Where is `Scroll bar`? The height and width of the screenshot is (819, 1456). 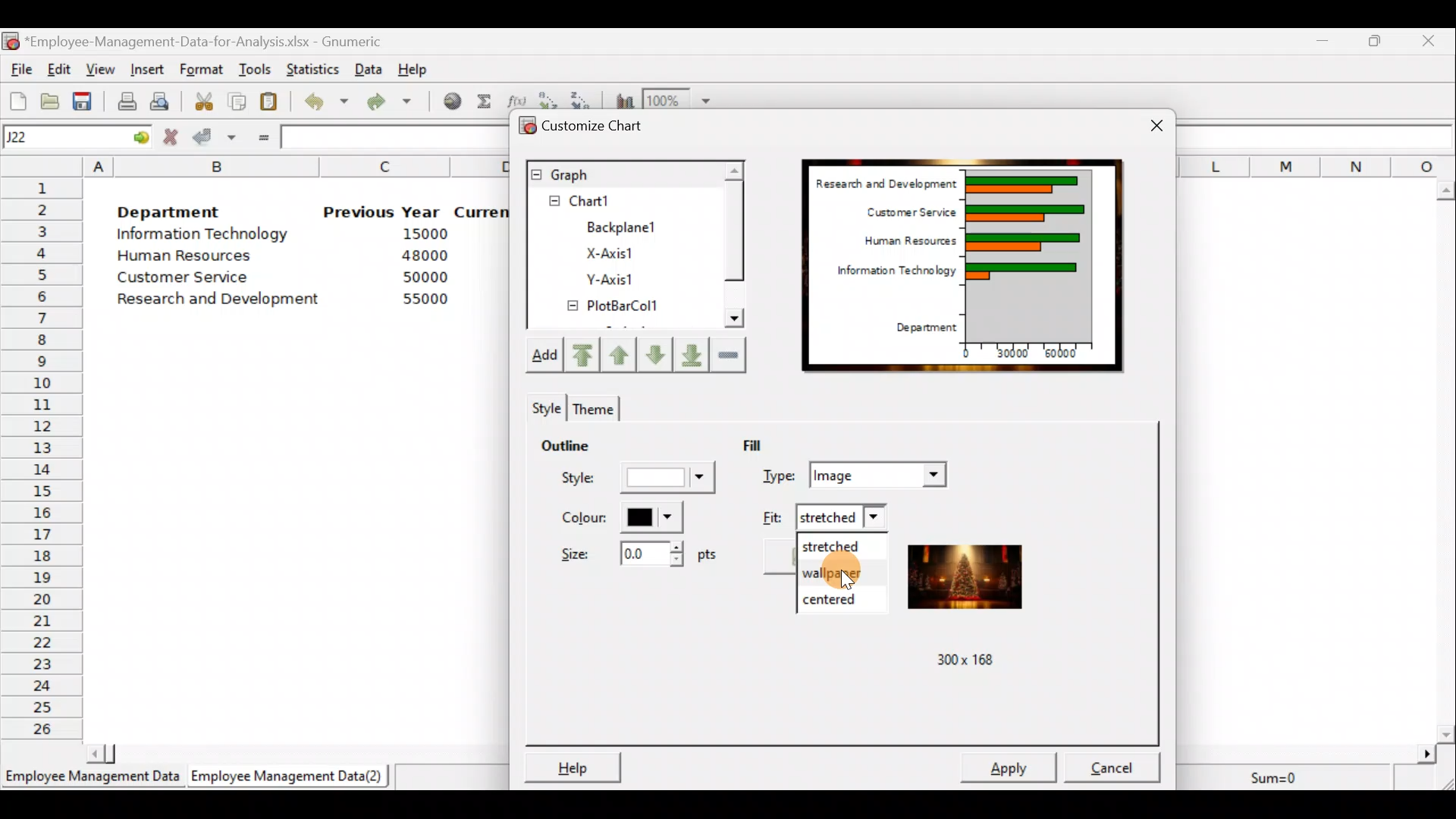
Scroll bar is located at coordinates (733, 247).